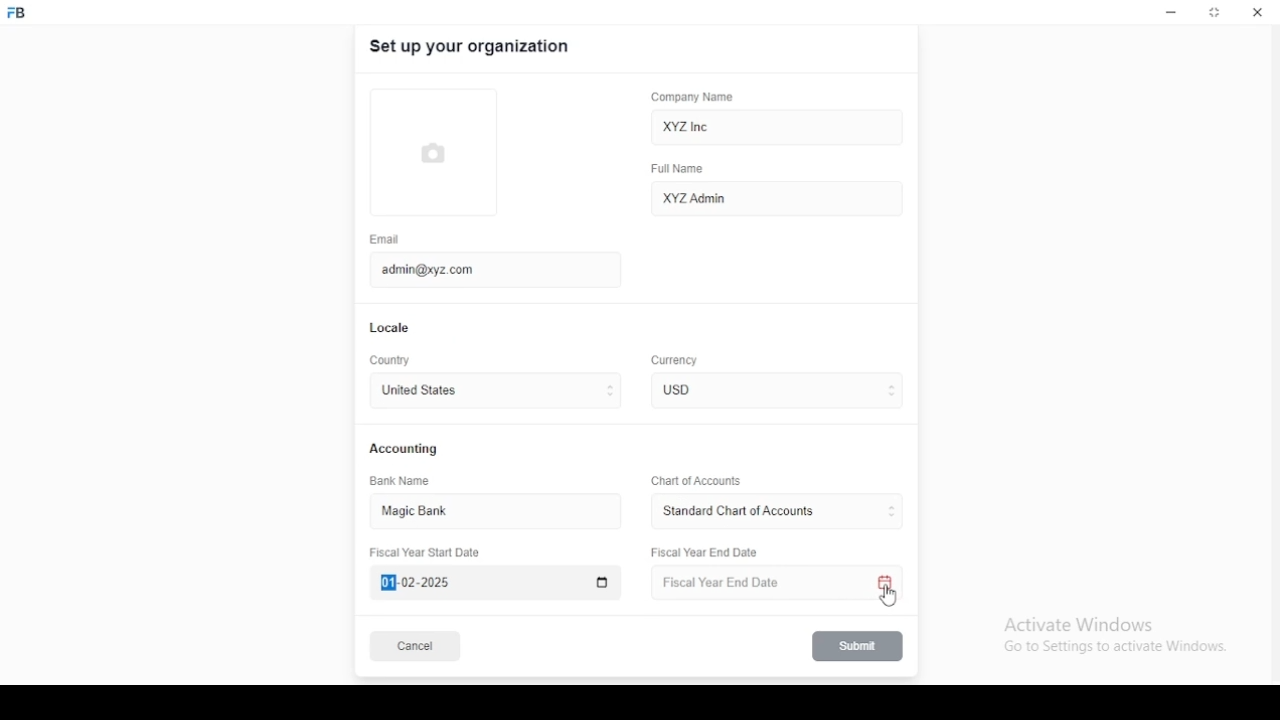 The height and width of the screenshot is (720, 1280). I want to click on submit, so click(859, 646).